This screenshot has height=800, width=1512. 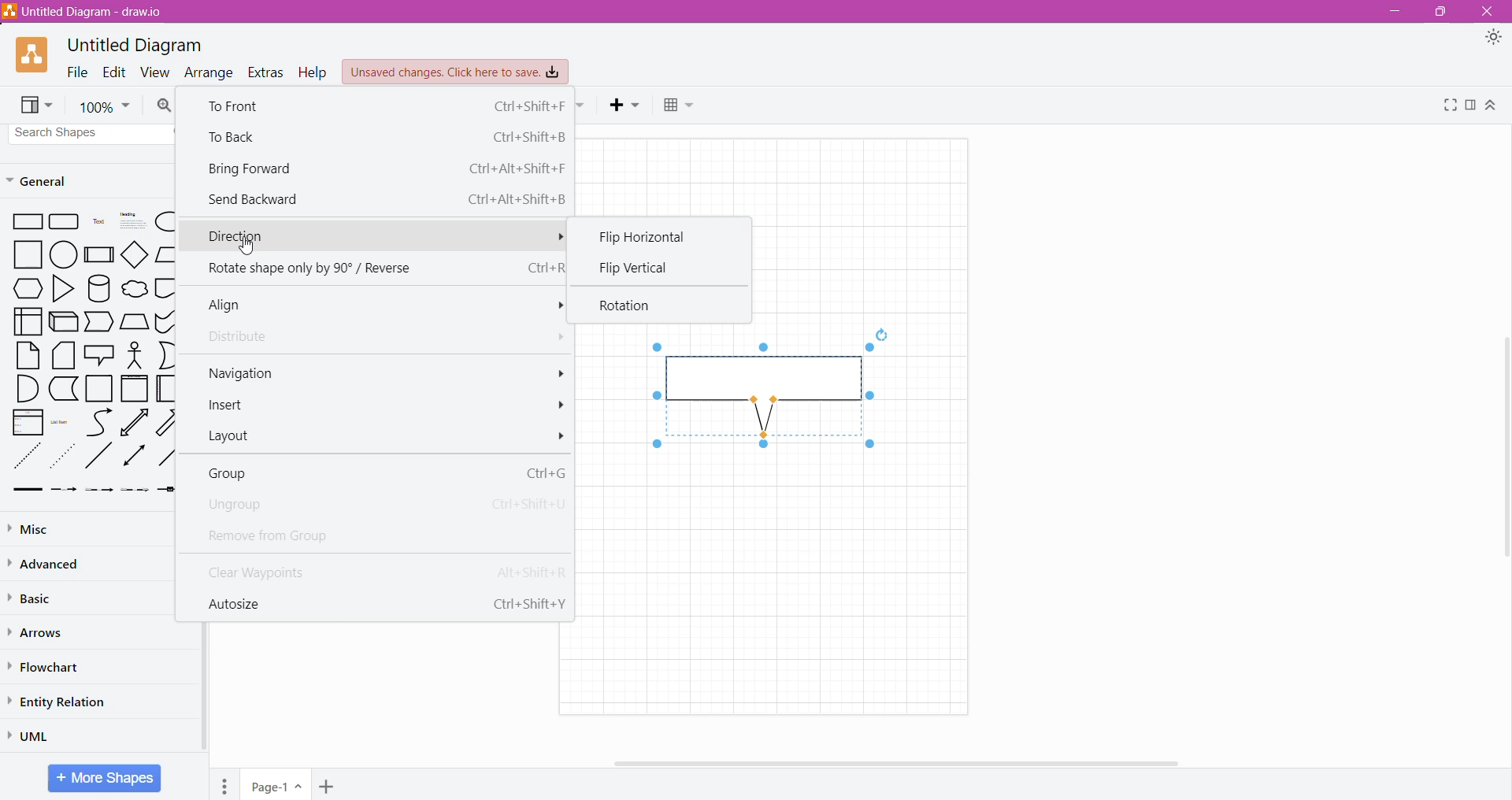 What do you see at coordinates (167, 355) in the screenshot?
I see `Half Circle` at bounding box center [167, 355].